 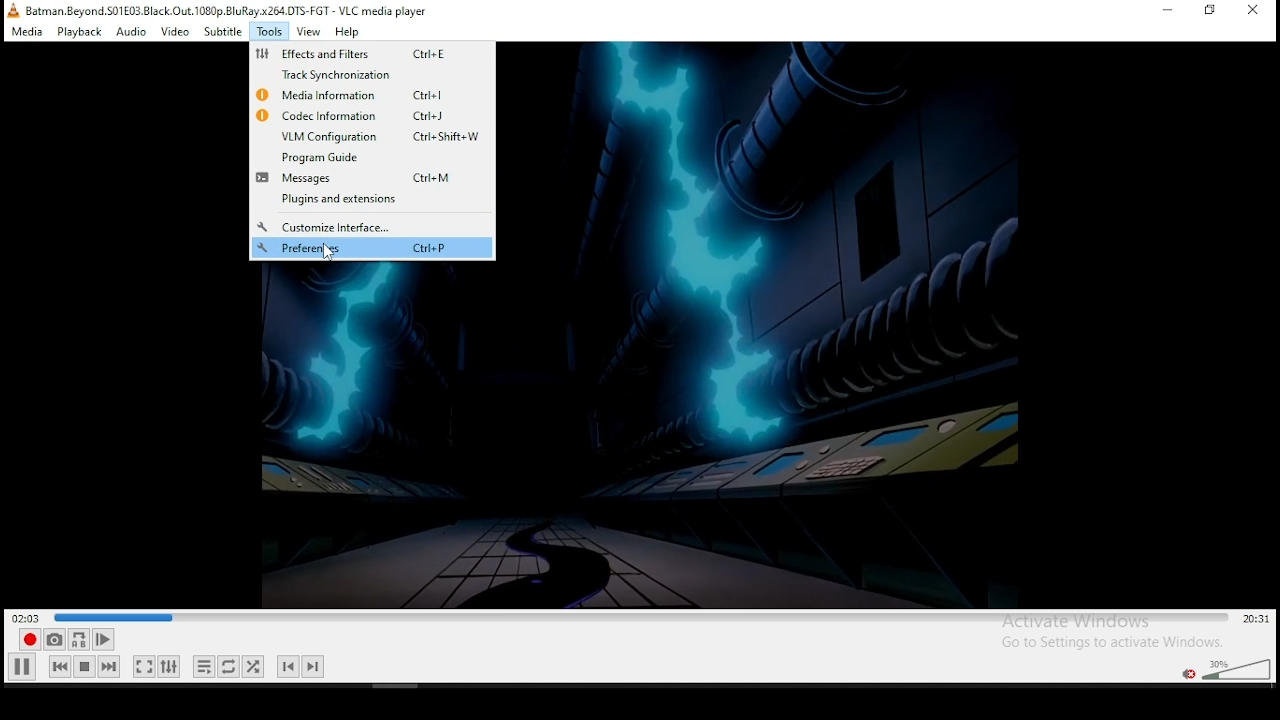 What do you see at coordinates (1167, 10) in the screenshot?
I see `minimize` at bounding box center [1167, 10].